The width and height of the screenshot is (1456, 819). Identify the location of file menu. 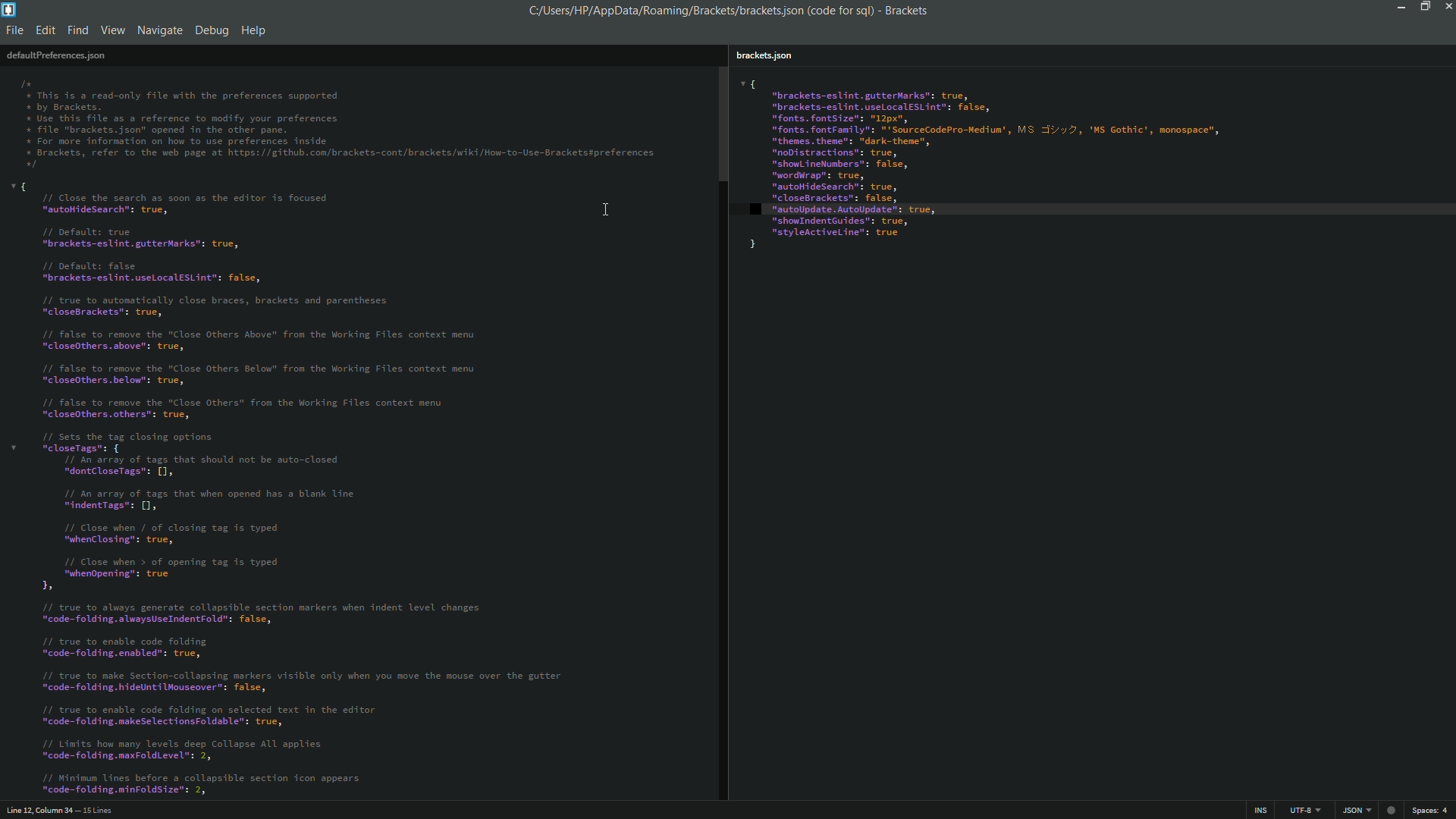
(15, 30).